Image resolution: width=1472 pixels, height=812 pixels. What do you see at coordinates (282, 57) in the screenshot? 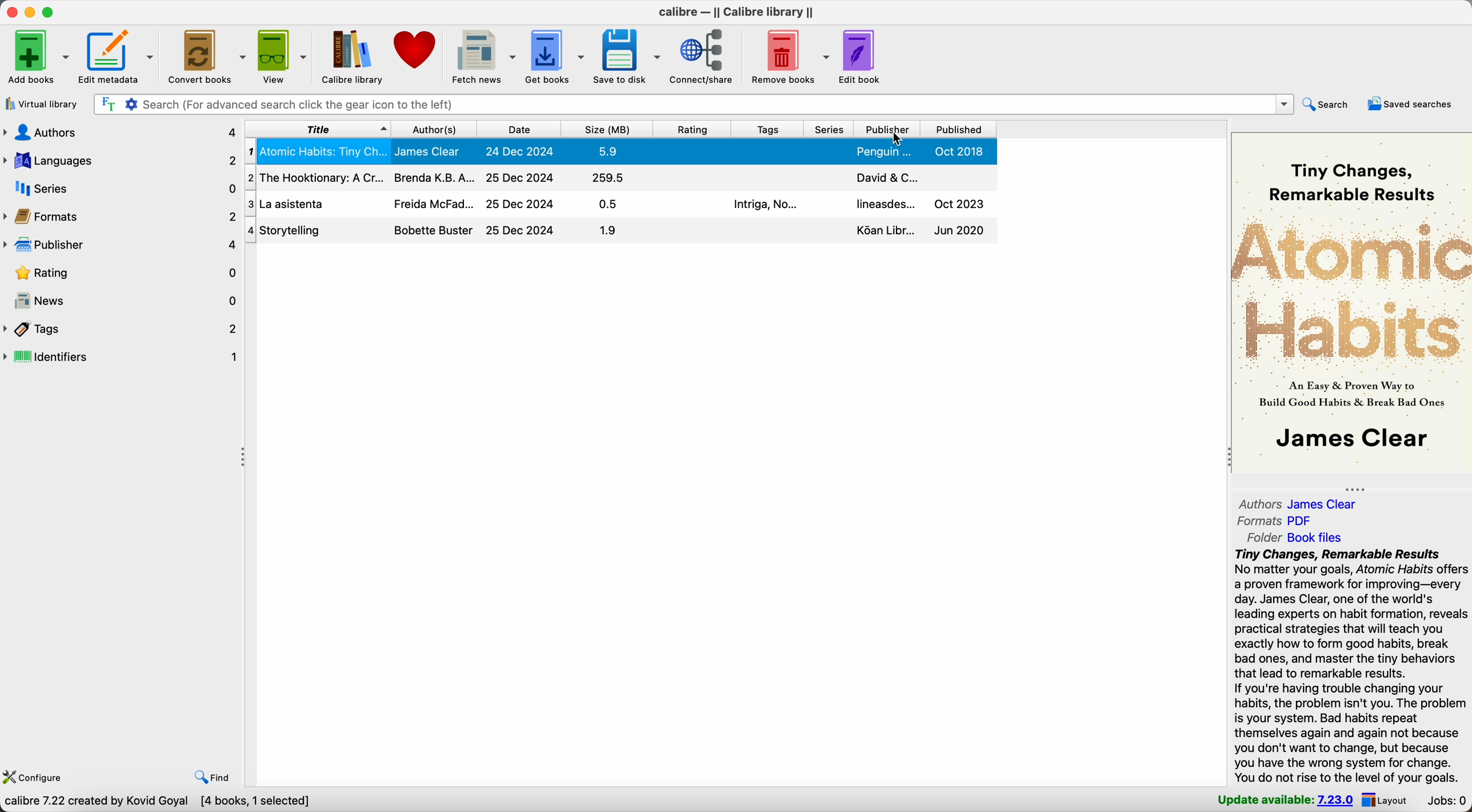
I see `view` at bounding box center [282, 57].